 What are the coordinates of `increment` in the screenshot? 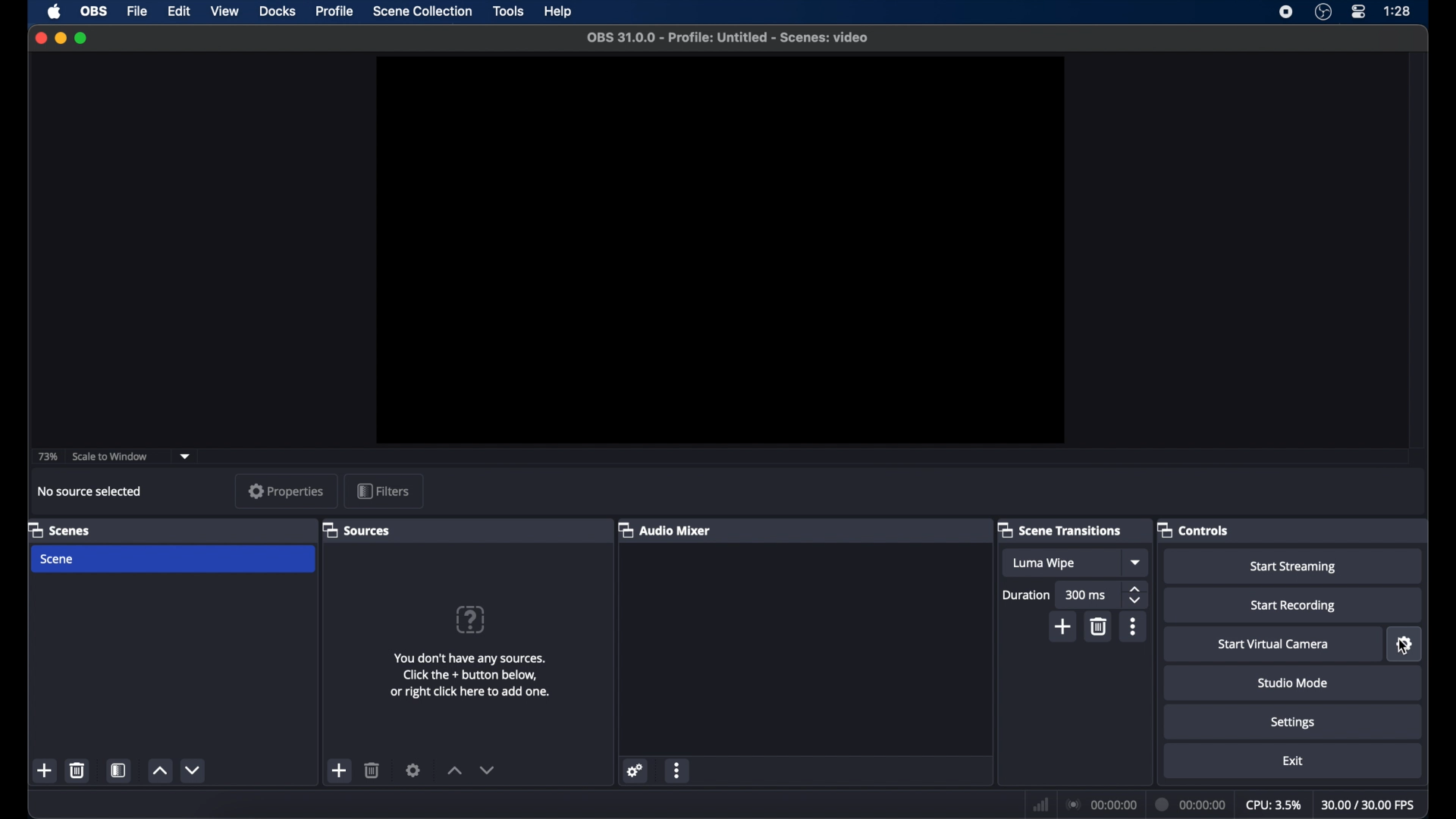 It's located at (158, 770).